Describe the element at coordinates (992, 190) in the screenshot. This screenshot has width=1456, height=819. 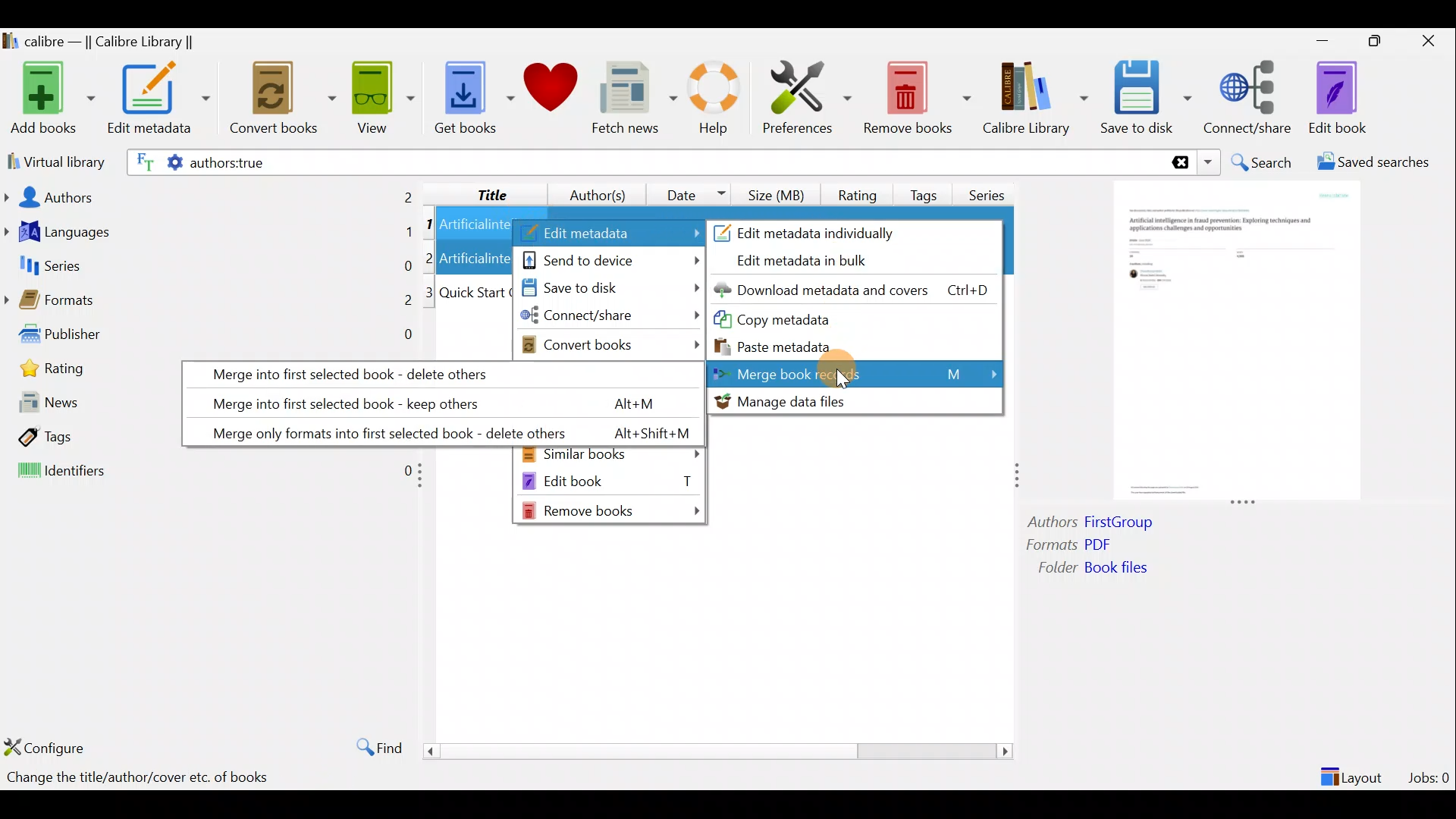
I see `Series` at that location.